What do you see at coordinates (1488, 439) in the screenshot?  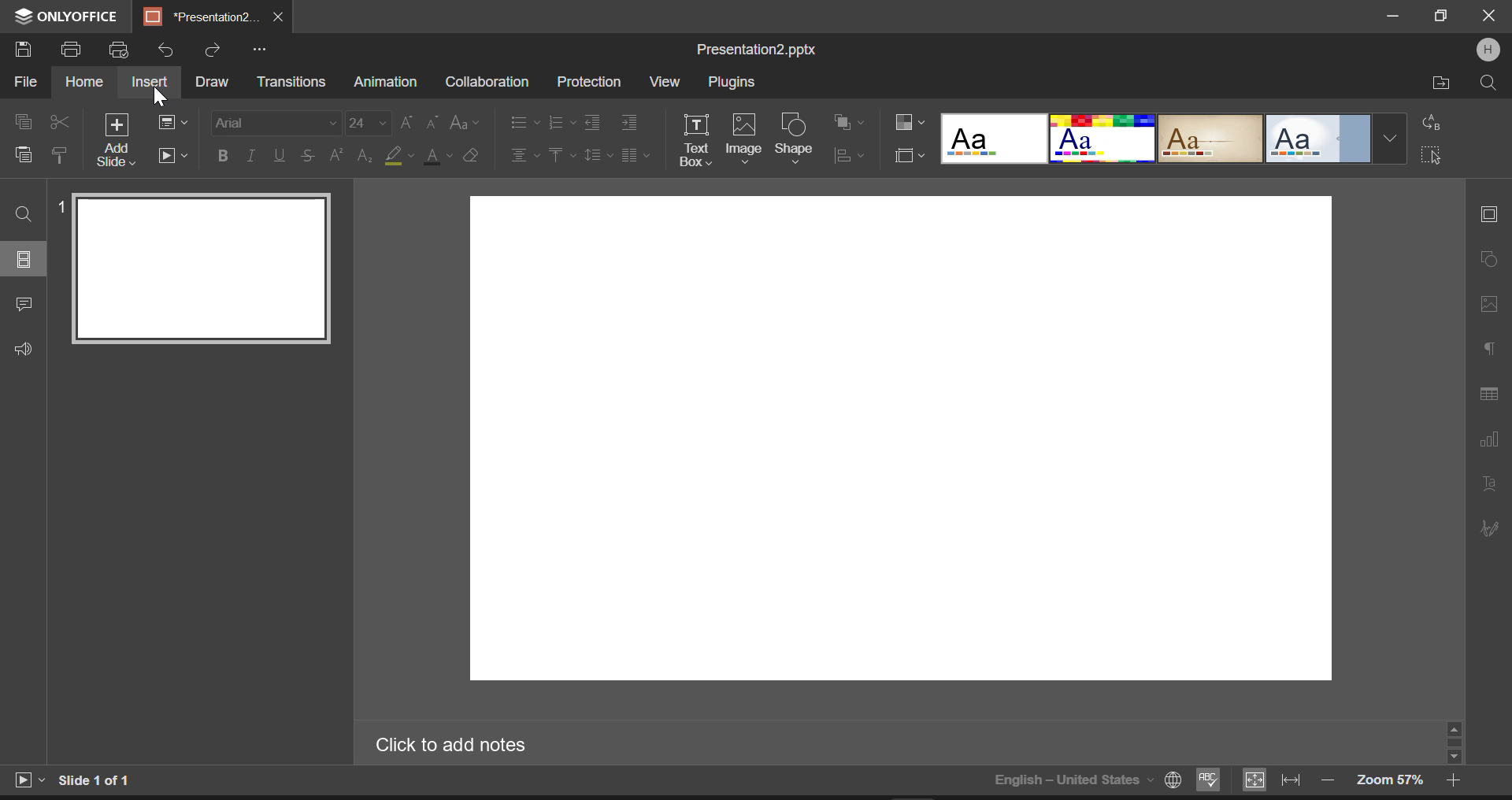 I see `Chart Settings` at bounding box center [1488, 439].